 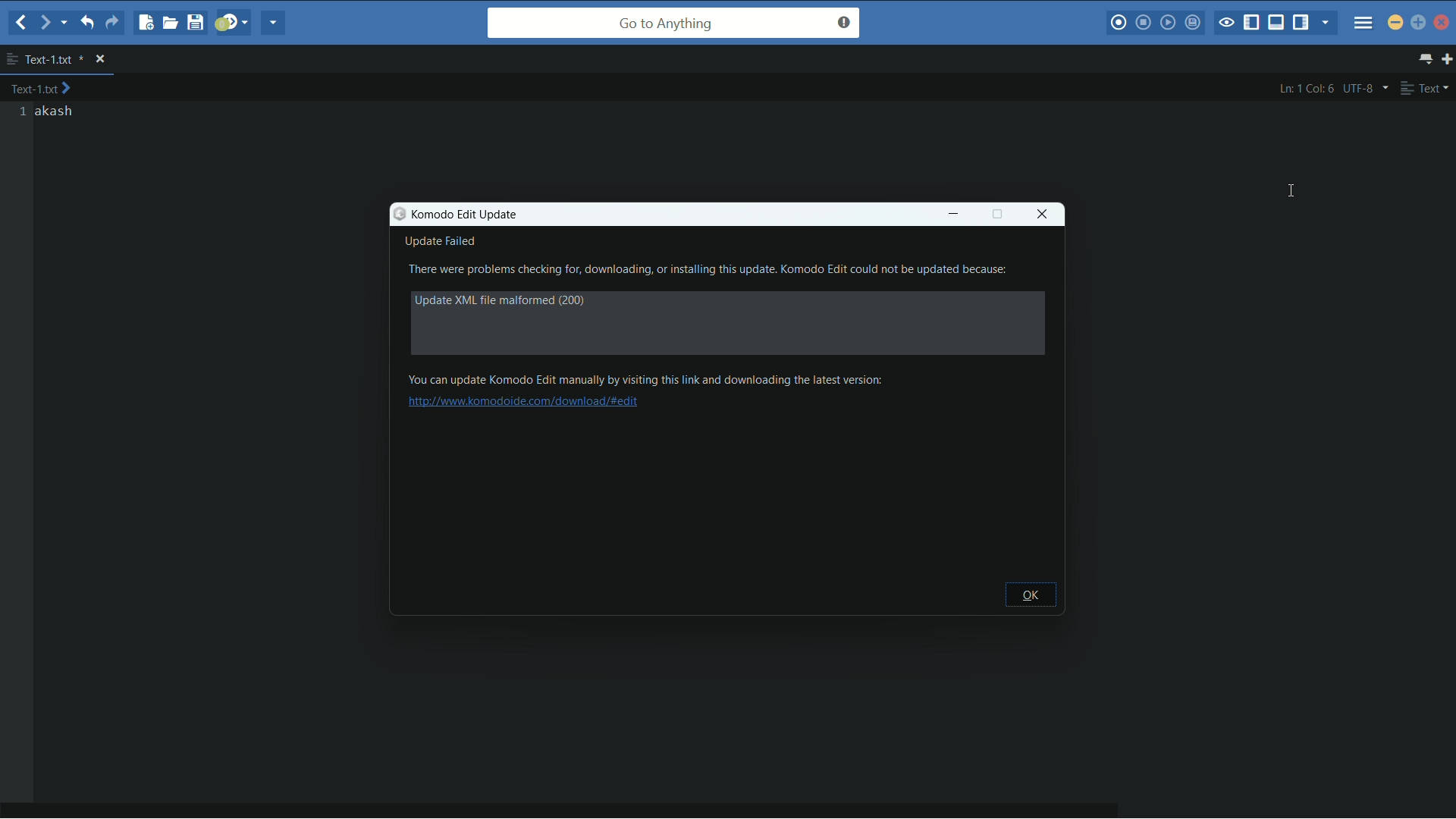 What do you see at coordinates (442, 243) in the screenshot?
I see `update failed` at bounding box center [442, 243].